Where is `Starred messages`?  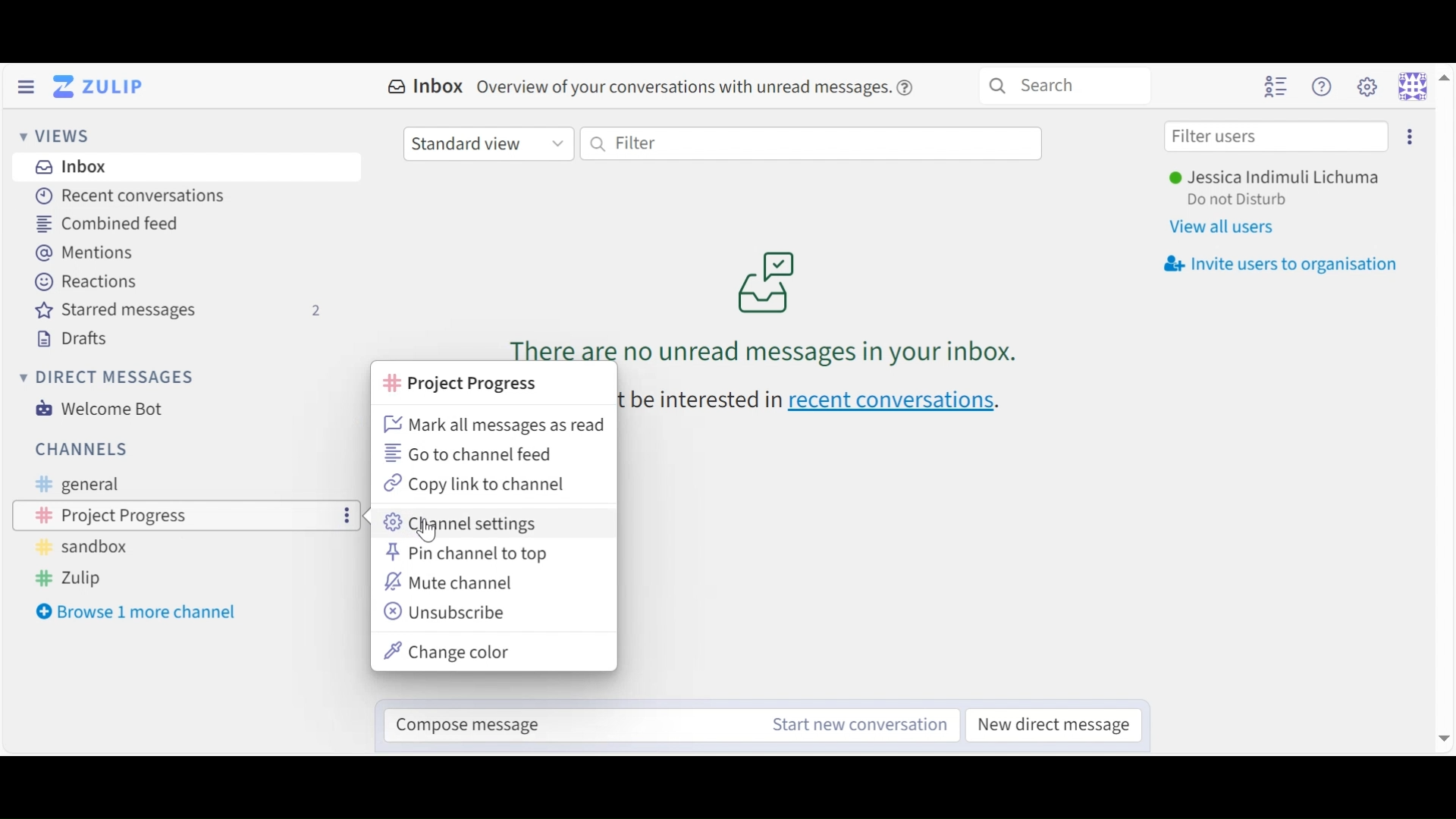
Starred messages is located at coordinates (177, 313).